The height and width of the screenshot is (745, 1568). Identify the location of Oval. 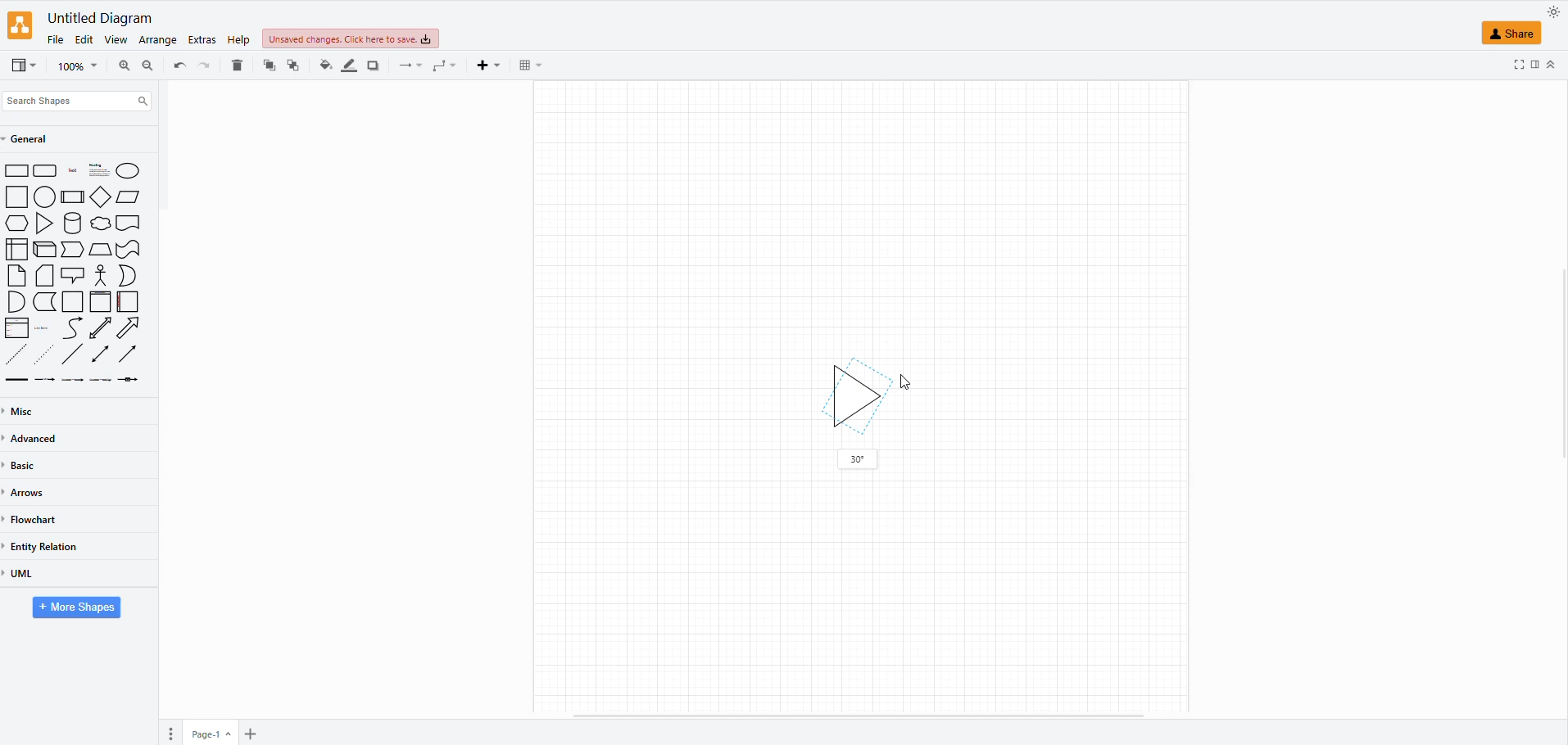
(45, 196).